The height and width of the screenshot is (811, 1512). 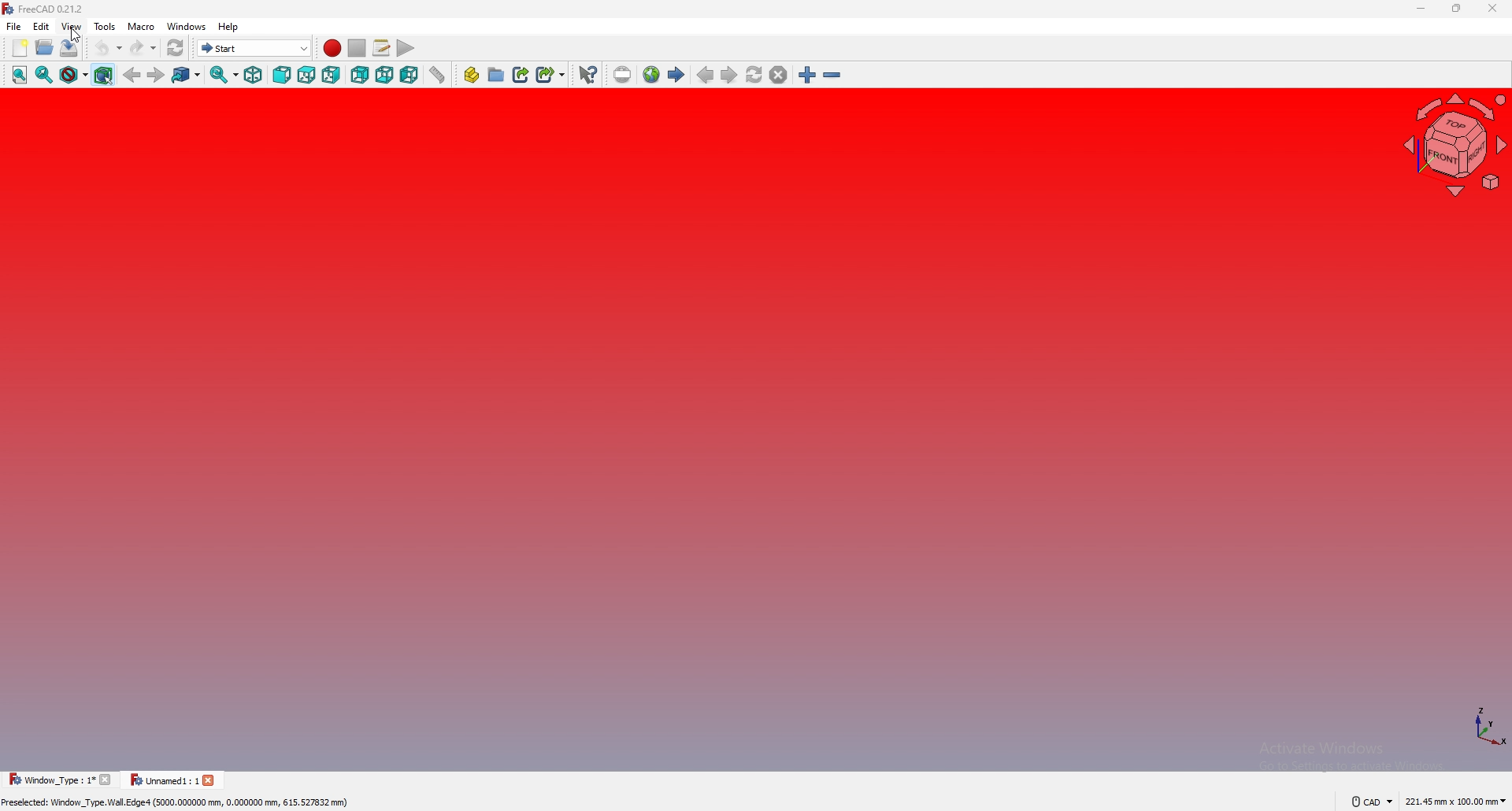 I want to click on record macros, so click(x=333, y=48).